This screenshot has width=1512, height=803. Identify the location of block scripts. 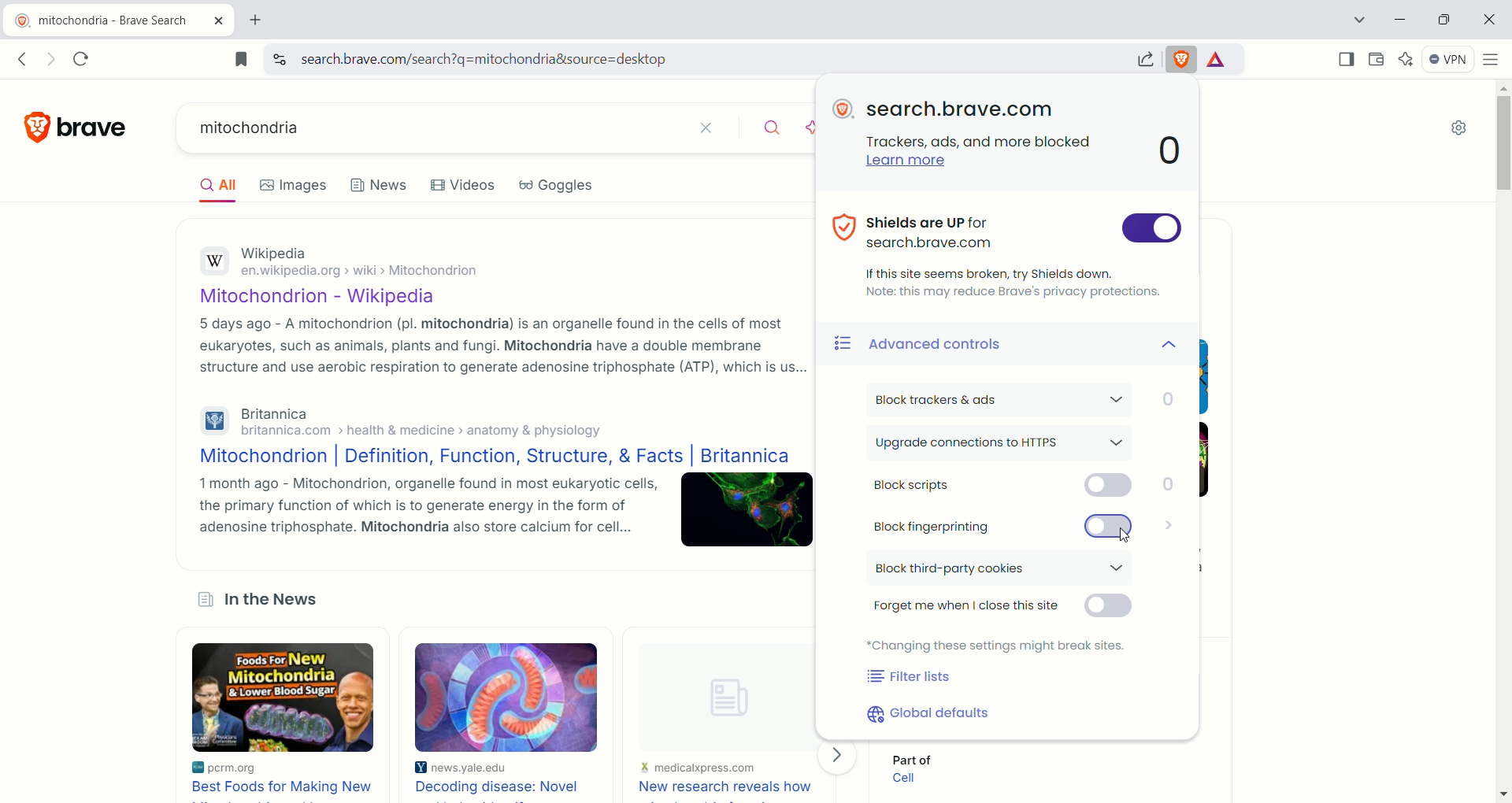
(1028, 487).